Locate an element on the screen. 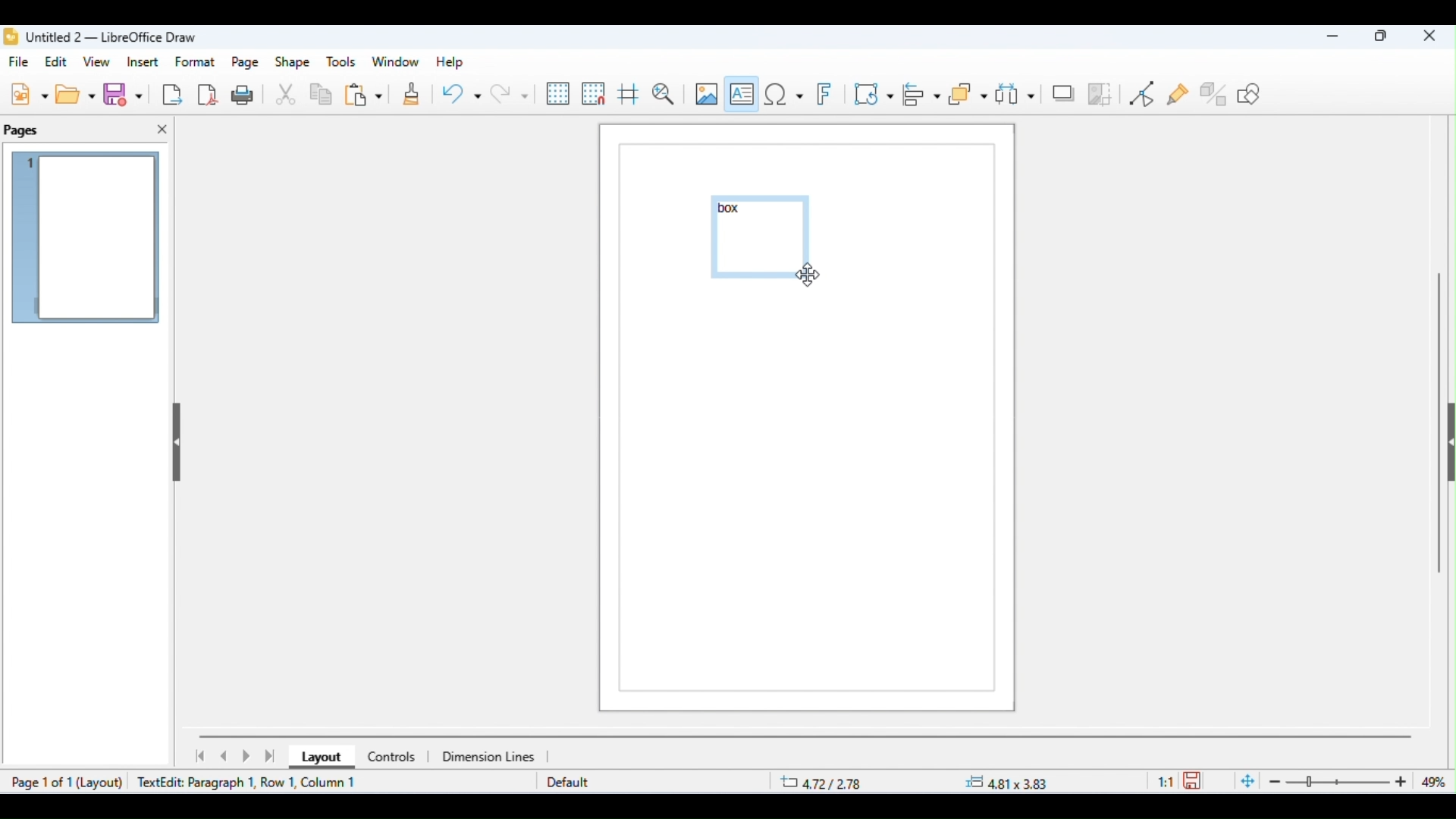 The height and width of the screenshot is (819, 1456). show extrusion is located at coordinates (1215, 93).